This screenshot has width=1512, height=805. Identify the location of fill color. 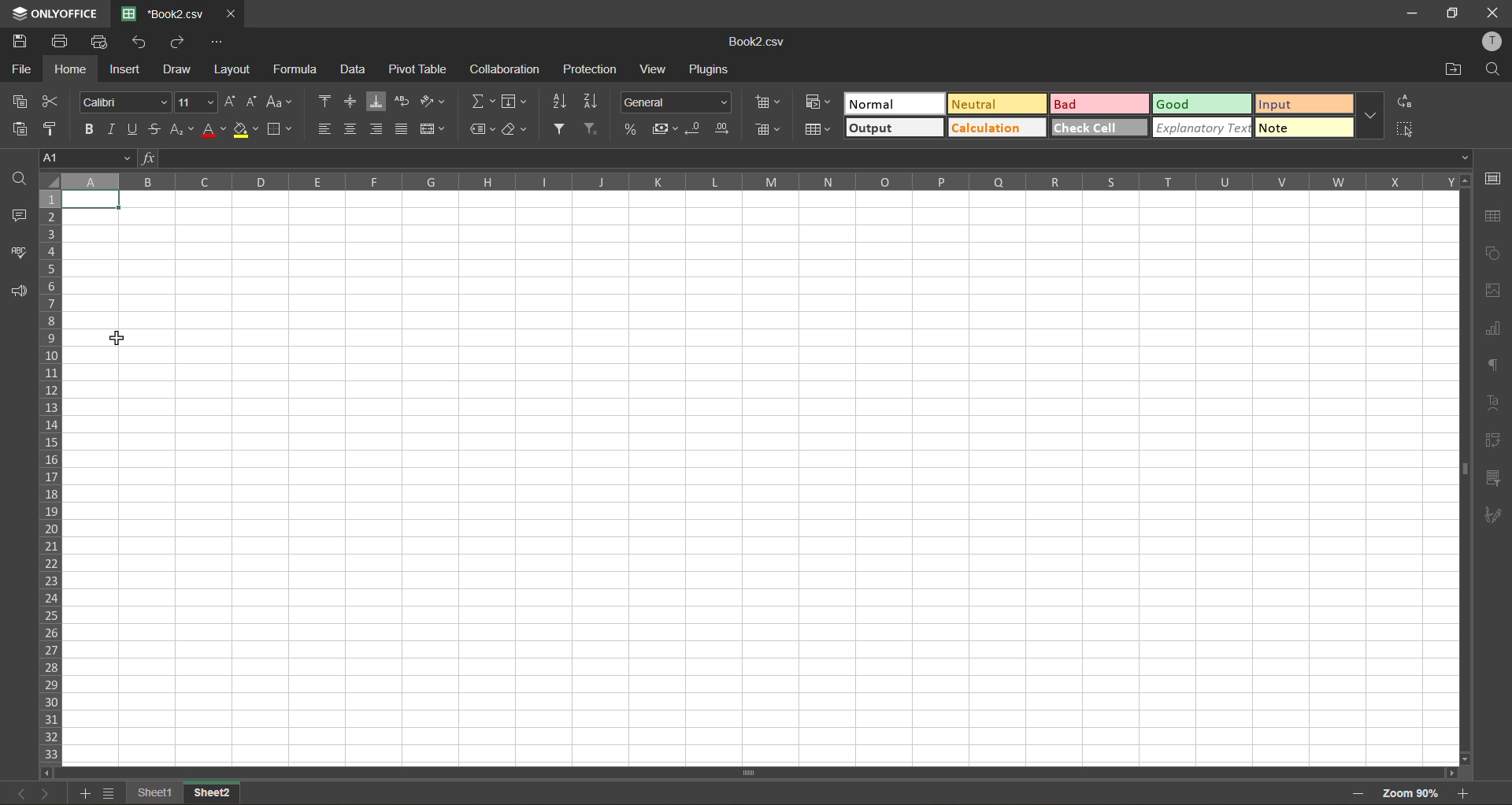
(246, 129).